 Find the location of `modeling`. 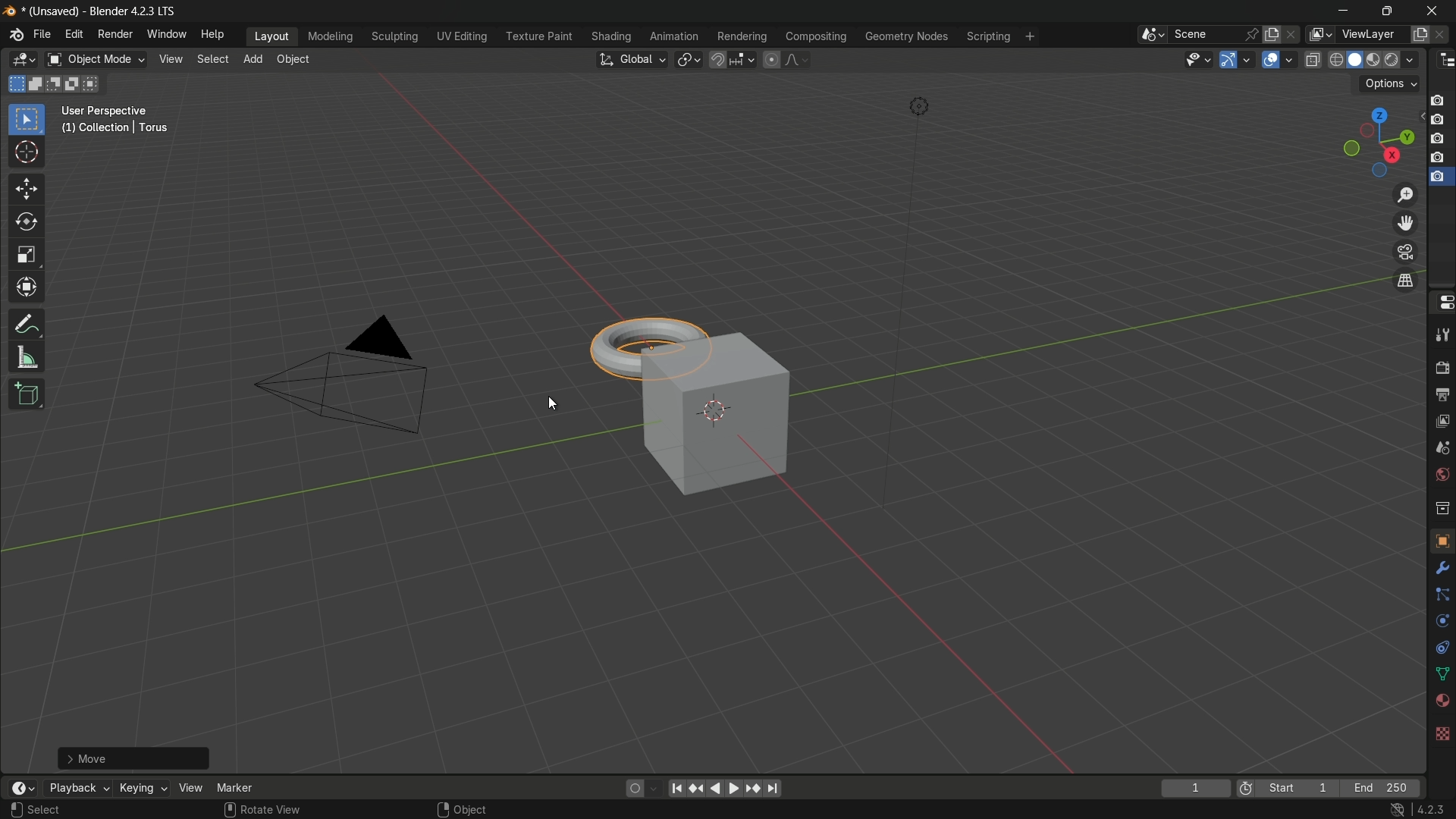

modeling is located at coordinates (331, 37).